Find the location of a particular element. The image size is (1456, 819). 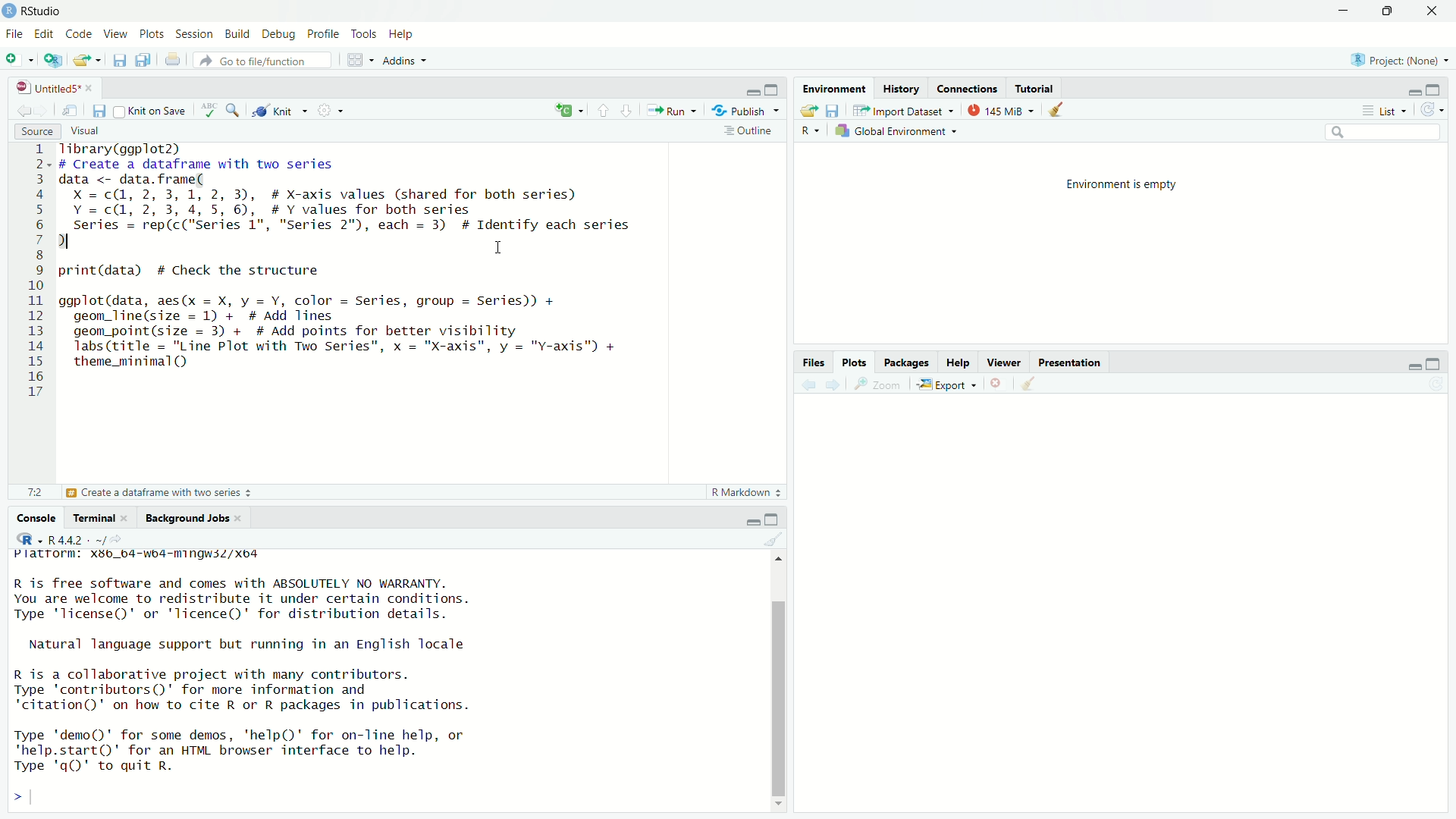

Publish  is located at coordinates (747, 111).